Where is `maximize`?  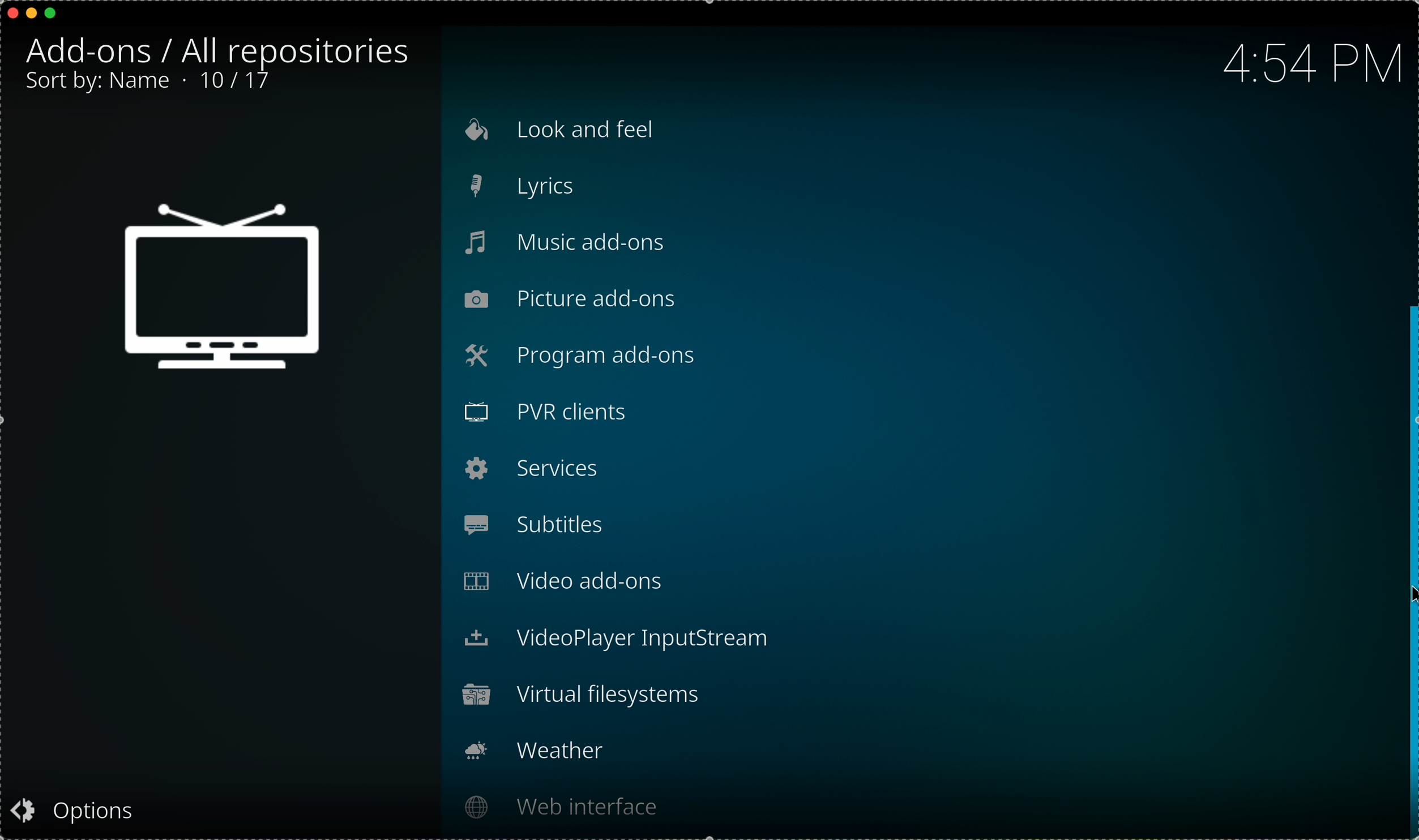
maximize is located at coordinates (52, 13).